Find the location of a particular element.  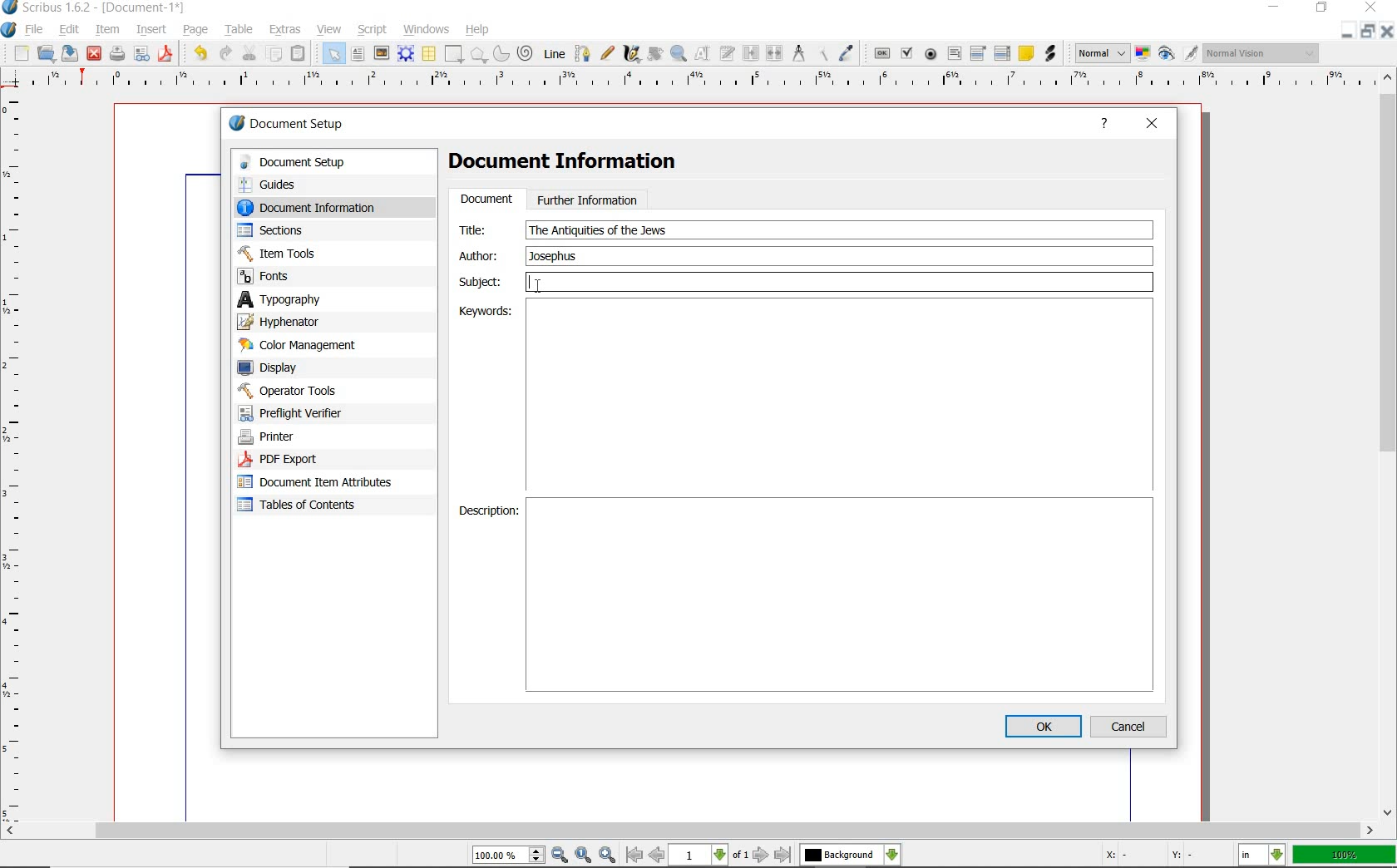

hypenator is located at coordinates (291, 322).